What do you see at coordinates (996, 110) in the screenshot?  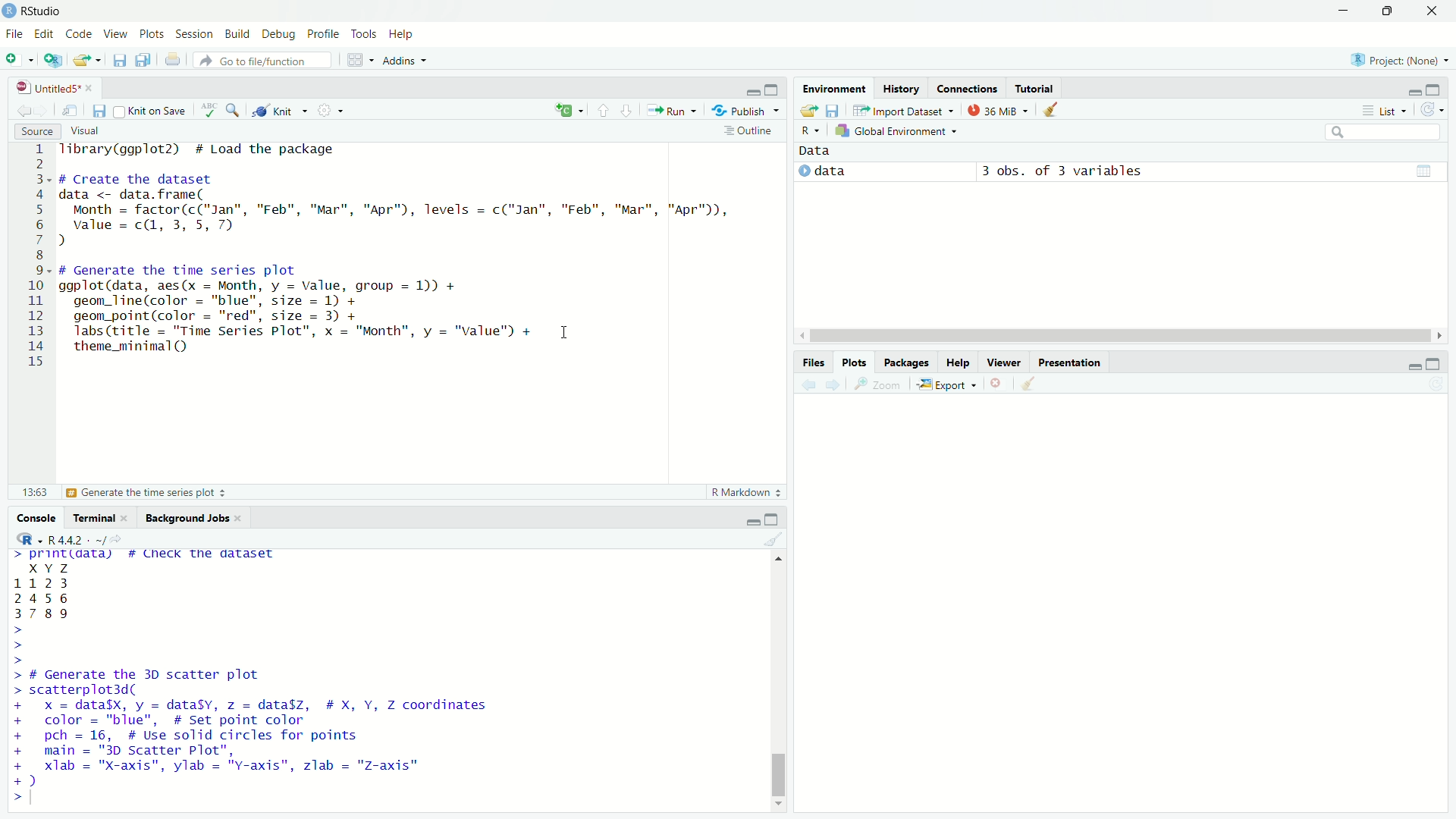 I see `36 MB` at bounding box center [996, 110].